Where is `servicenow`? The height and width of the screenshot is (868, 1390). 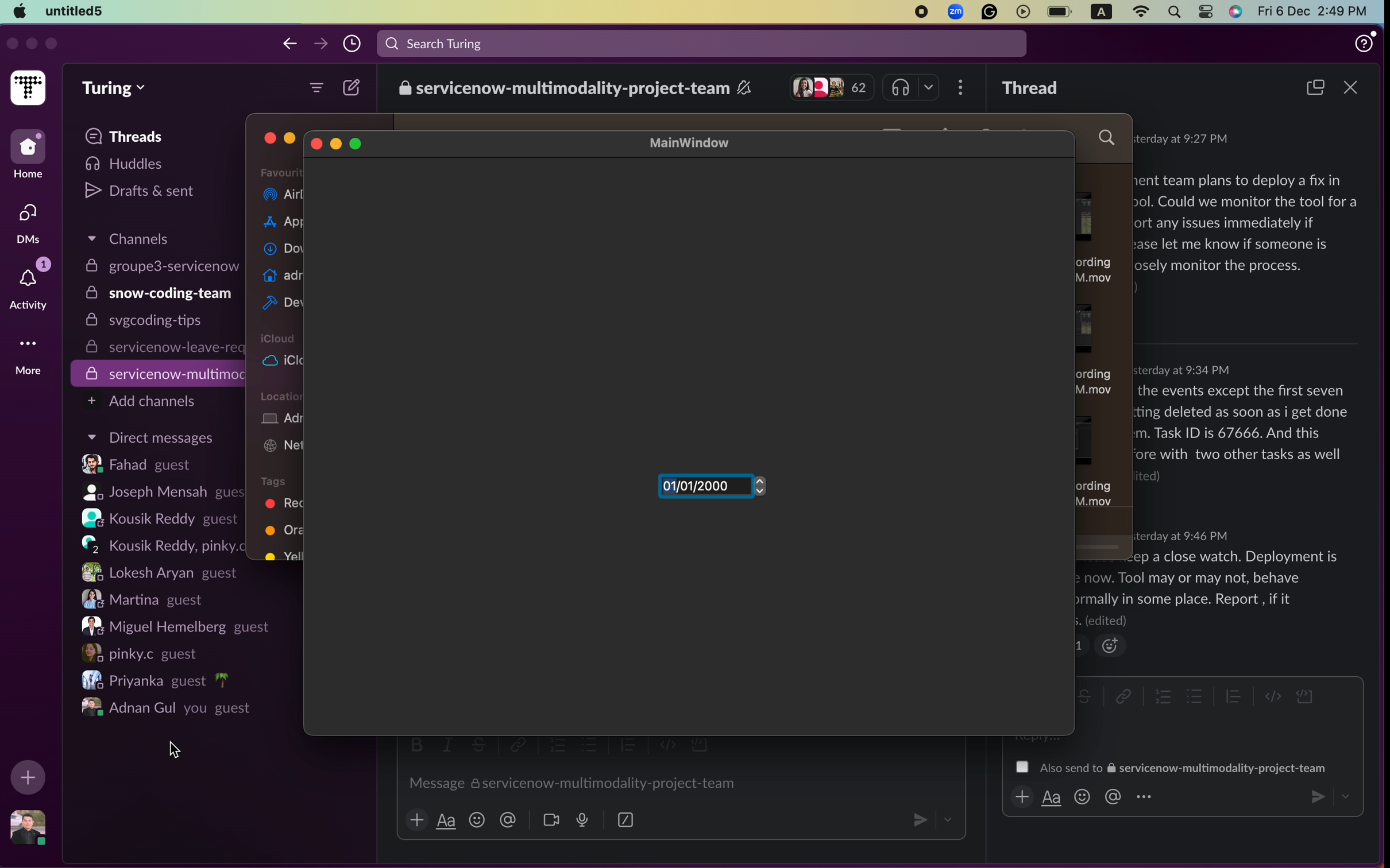
servicenow is located at coordinates (562, 87).